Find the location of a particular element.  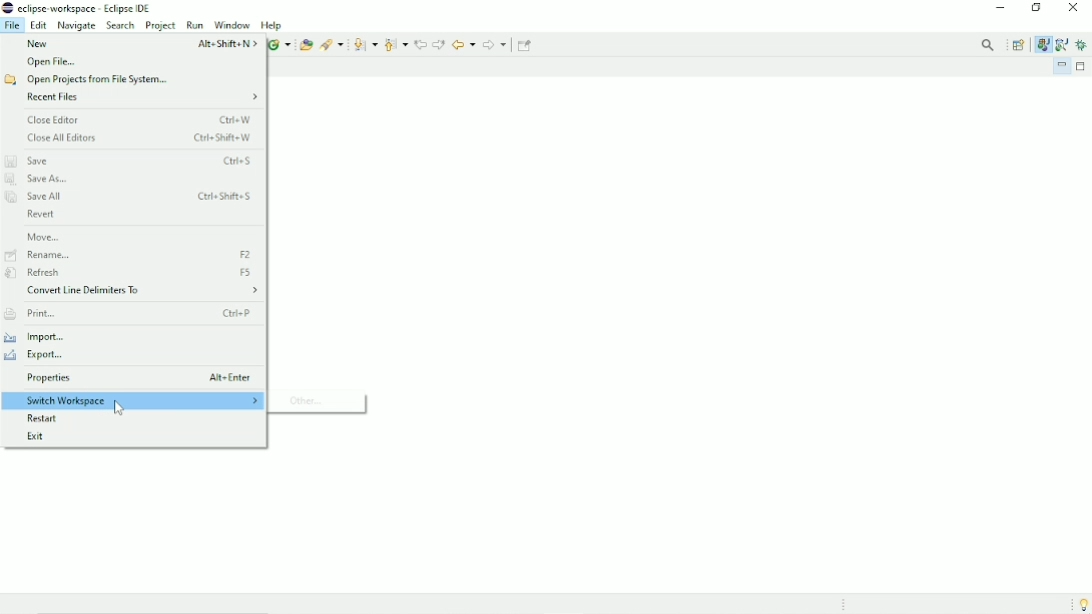

Navigate is located at coordinates (76, 25).